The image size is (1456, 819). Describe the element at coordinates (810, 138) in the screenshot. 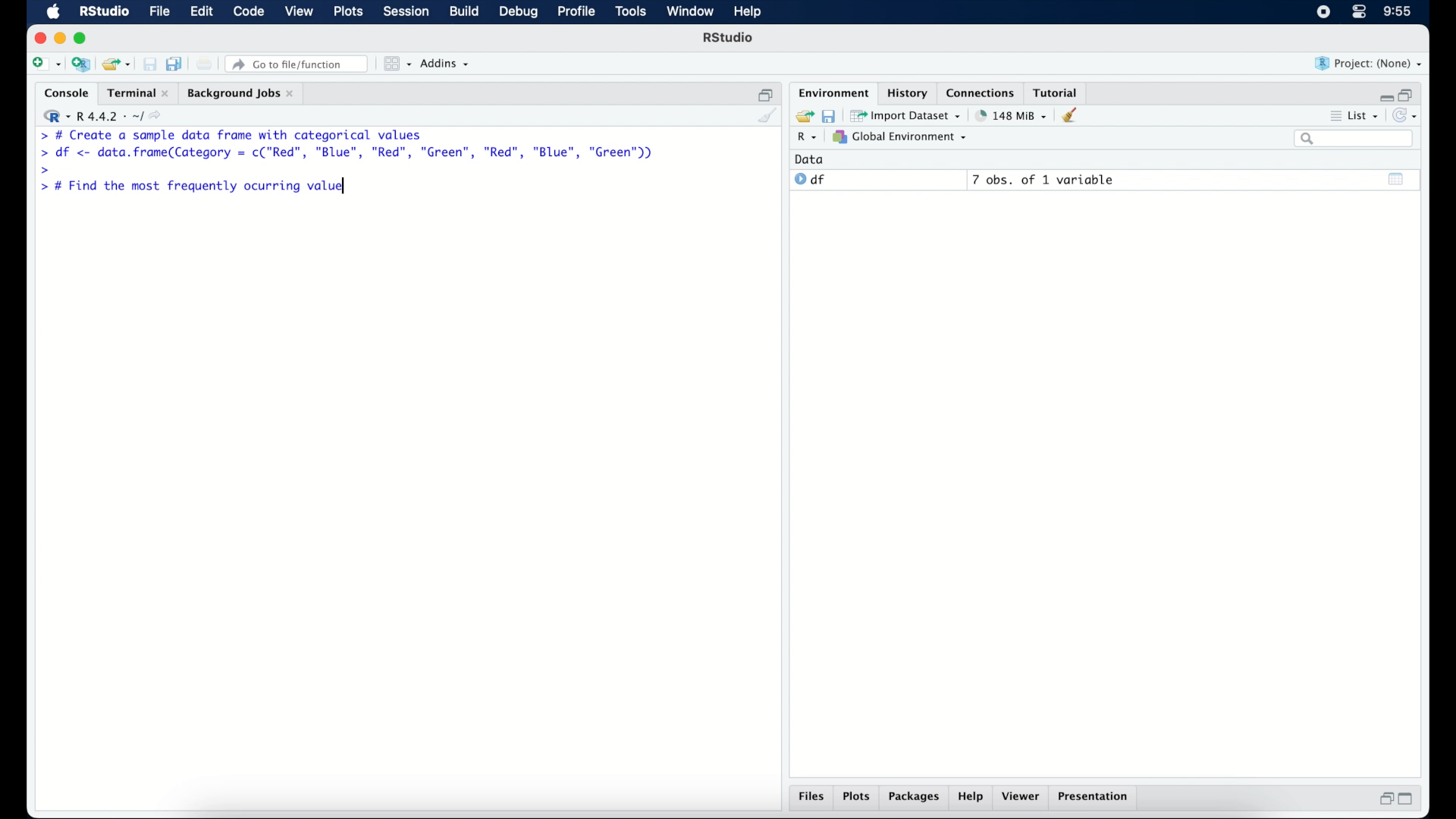

I see `R` at that location.